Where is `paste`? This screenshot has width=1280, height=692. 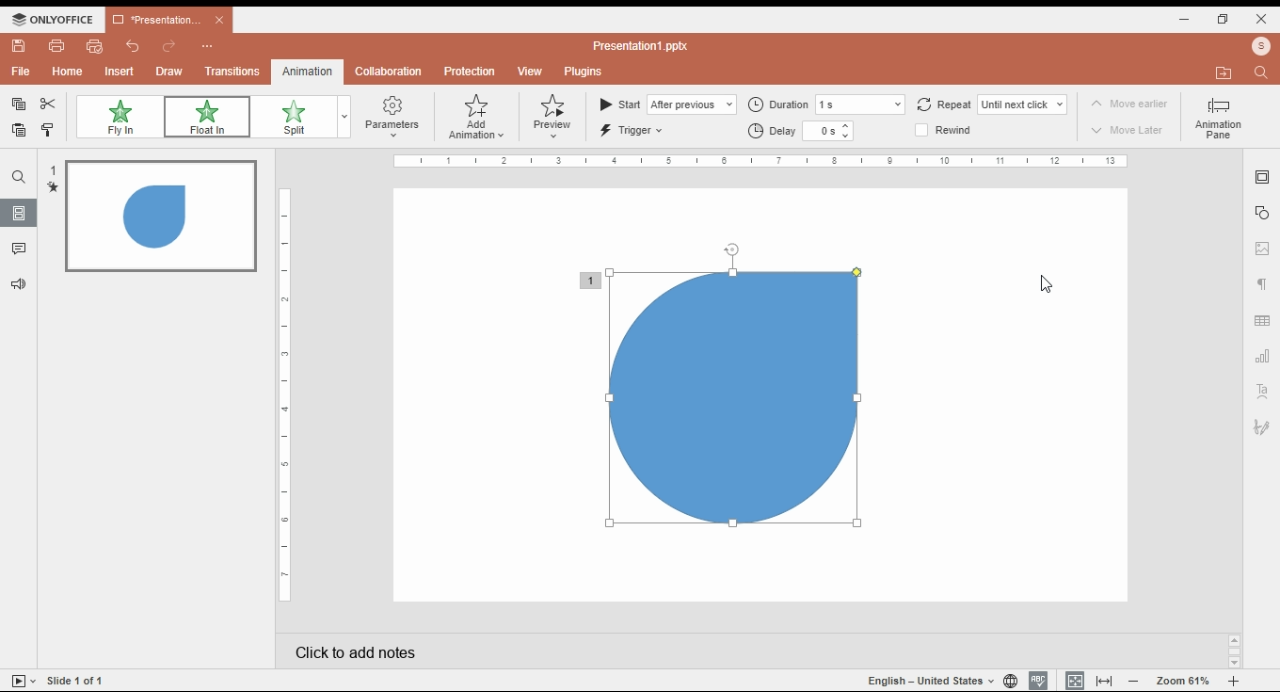
paste is located at coordinates (20, 129).